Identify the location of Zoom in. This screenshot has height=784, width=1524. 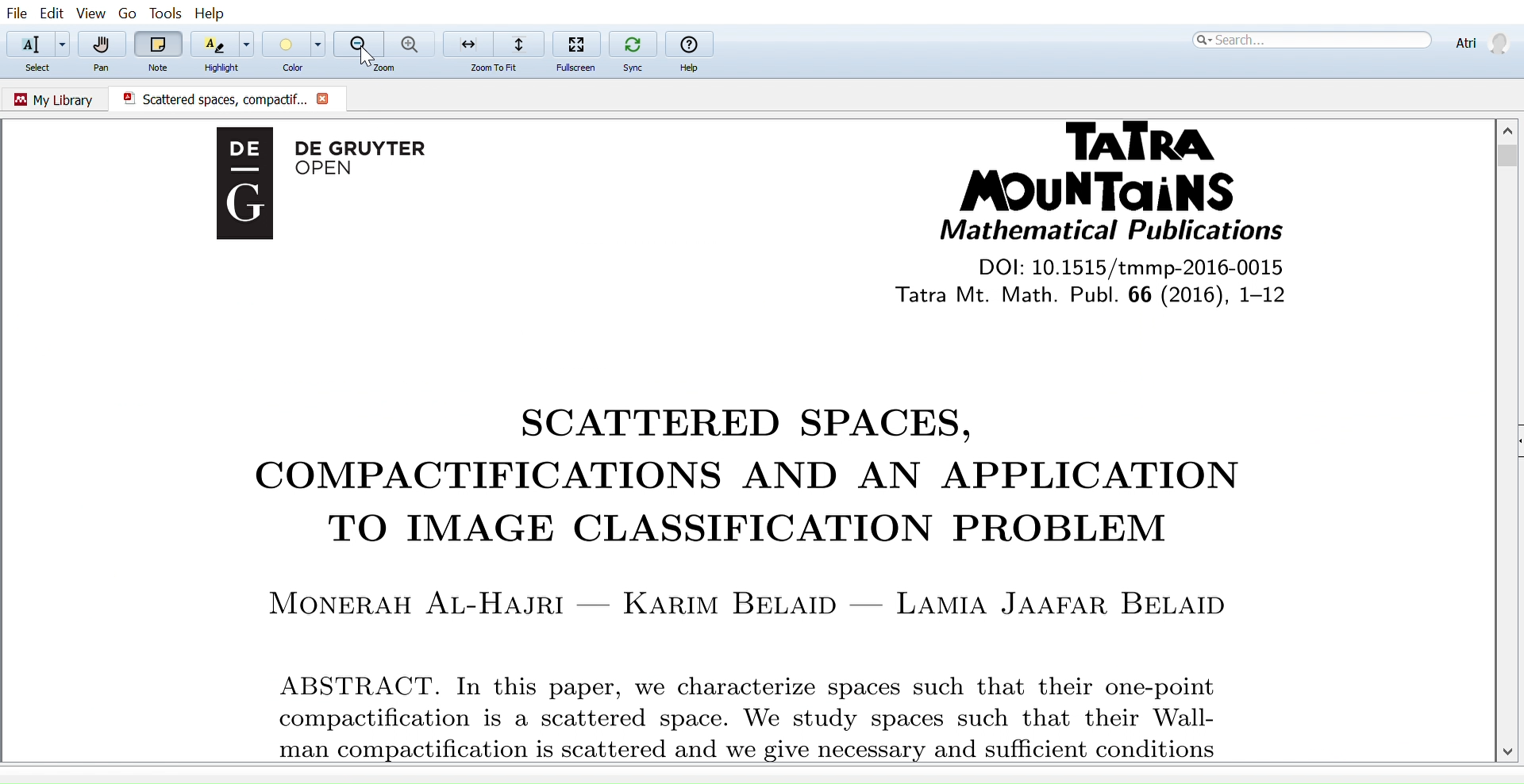
(411, 44).